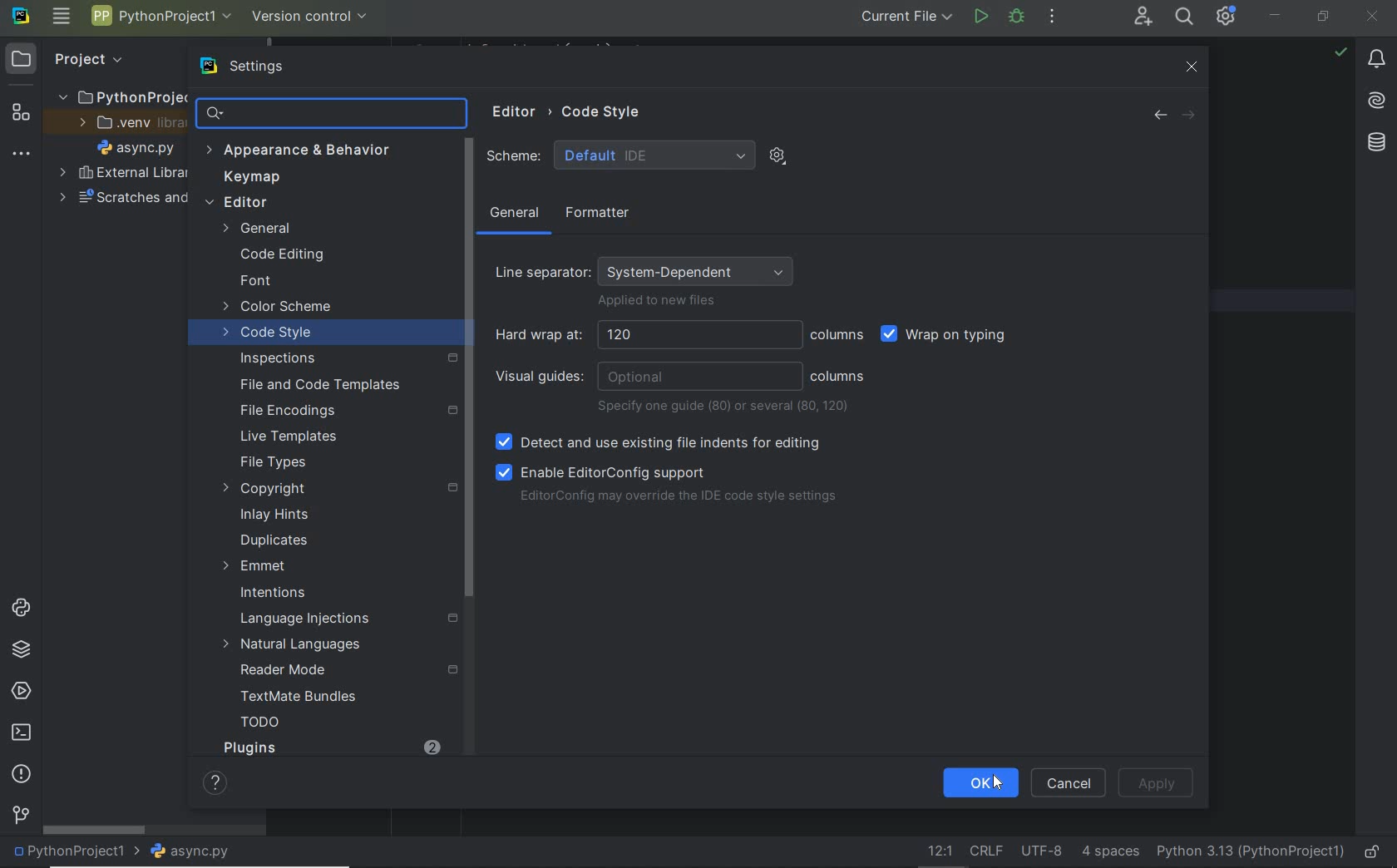 The width and height of the screenshot is (1397, 868). I want to click on columns, so click(838, 377).